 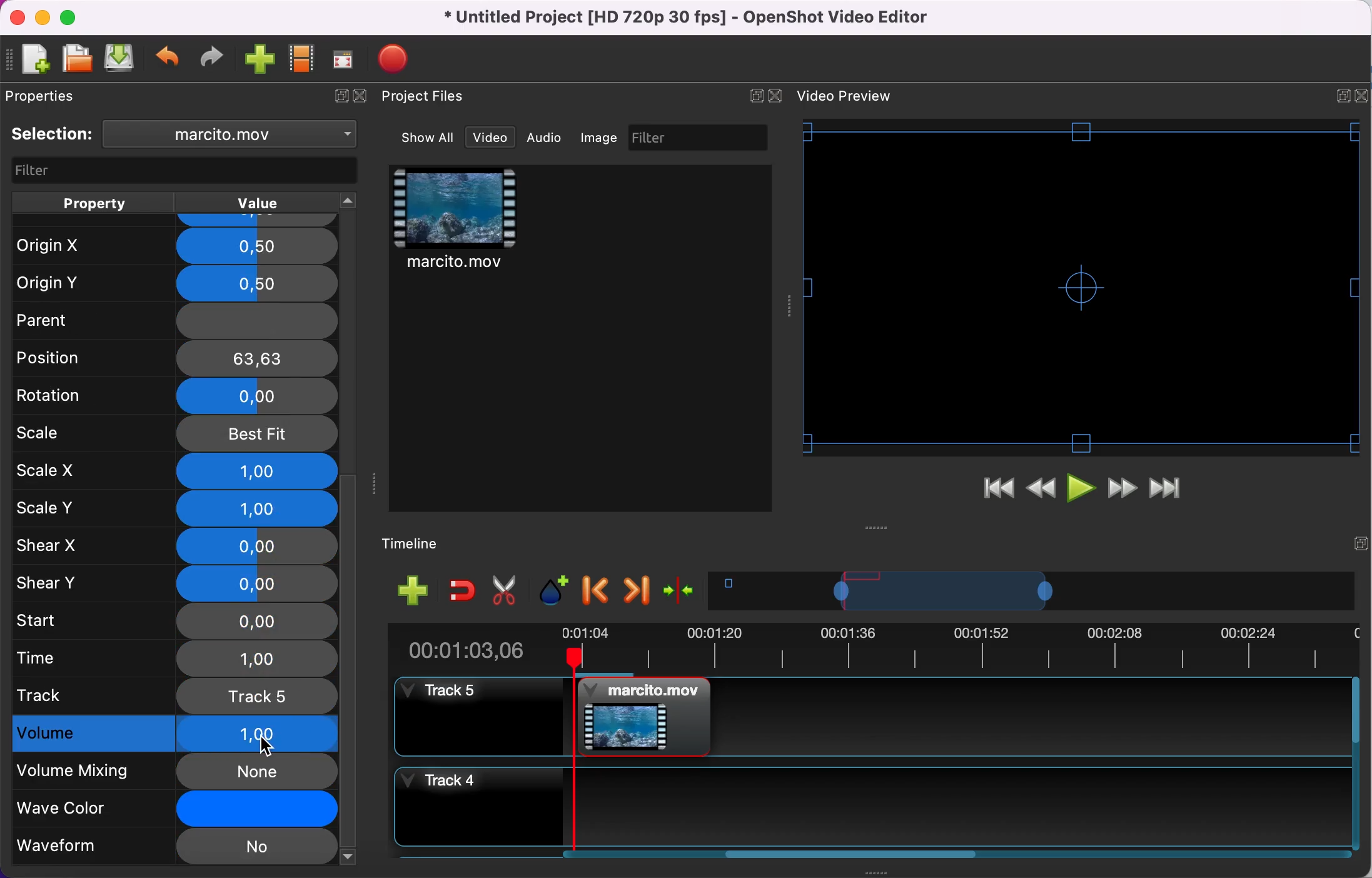 What do you see at coordinates (1081, 287) in the screenshot?
I see `Video preview` at bounding box center [1081, 287].